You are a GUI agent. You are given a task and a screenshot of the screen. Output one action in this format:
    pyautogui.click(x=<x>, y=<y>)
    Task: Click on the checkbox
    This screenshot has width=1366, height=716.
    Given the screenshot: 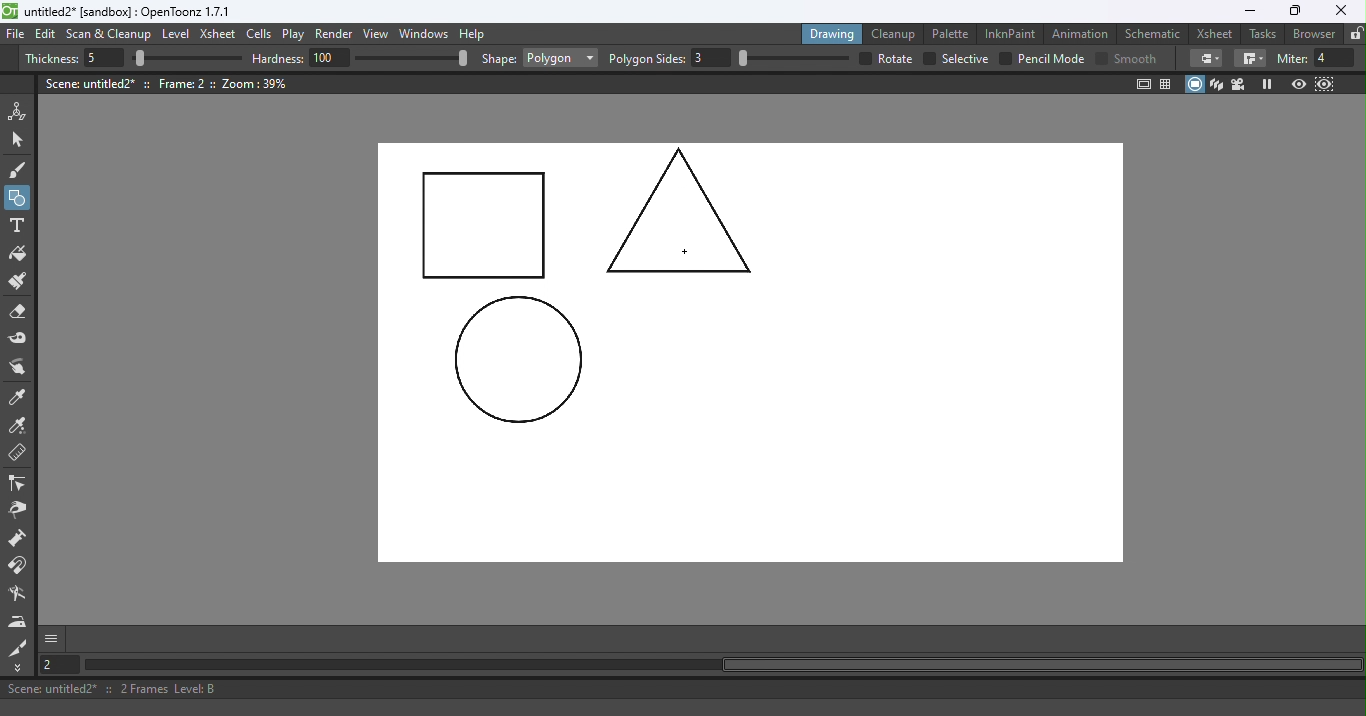 What is the action you would take?
    pyautogui.click(x=928, y=59)
    